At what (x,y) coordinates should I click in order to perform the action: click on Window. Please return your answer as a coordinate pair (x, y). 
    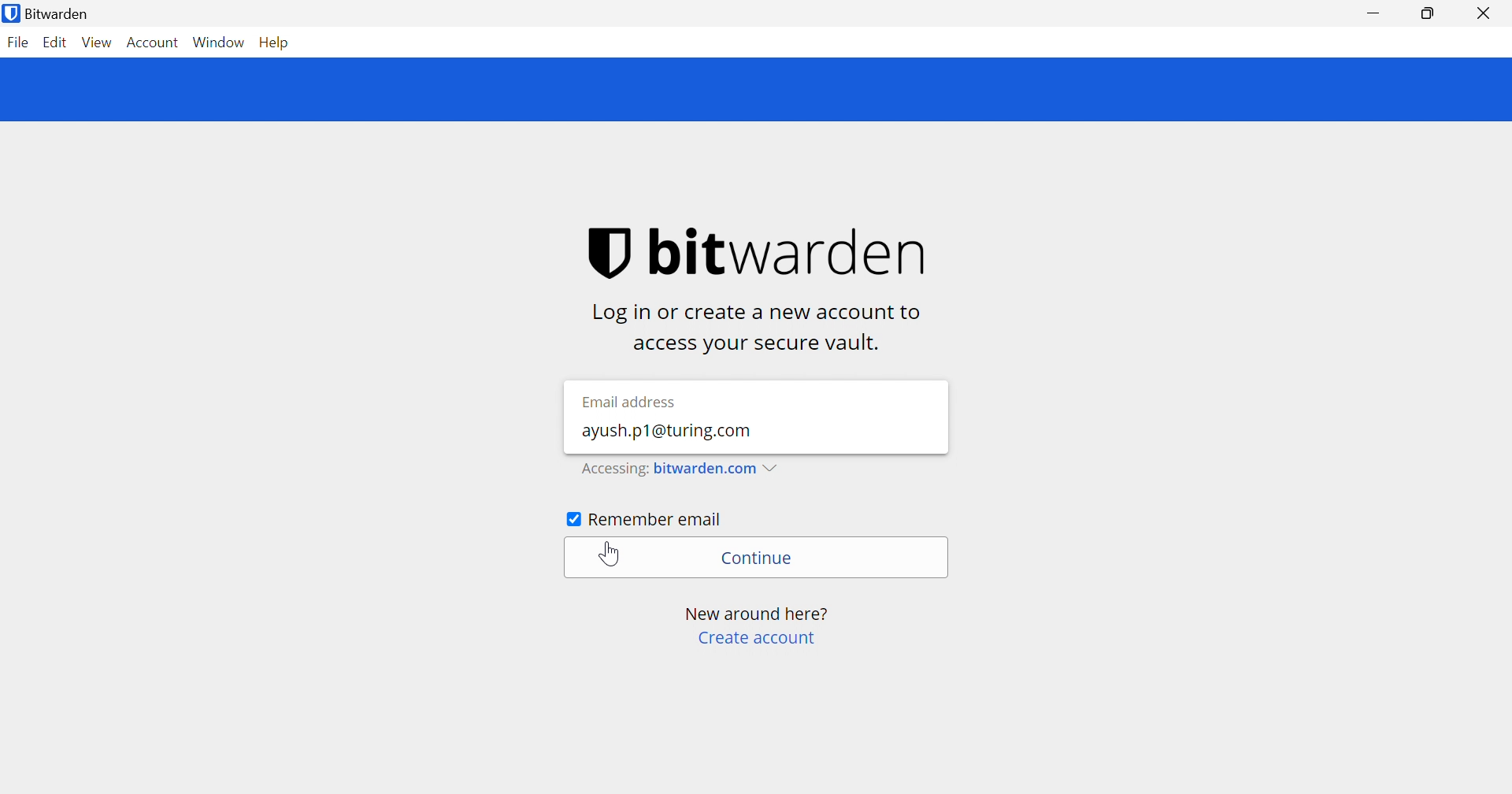
    Looking at the image, I should click on (220, 42).